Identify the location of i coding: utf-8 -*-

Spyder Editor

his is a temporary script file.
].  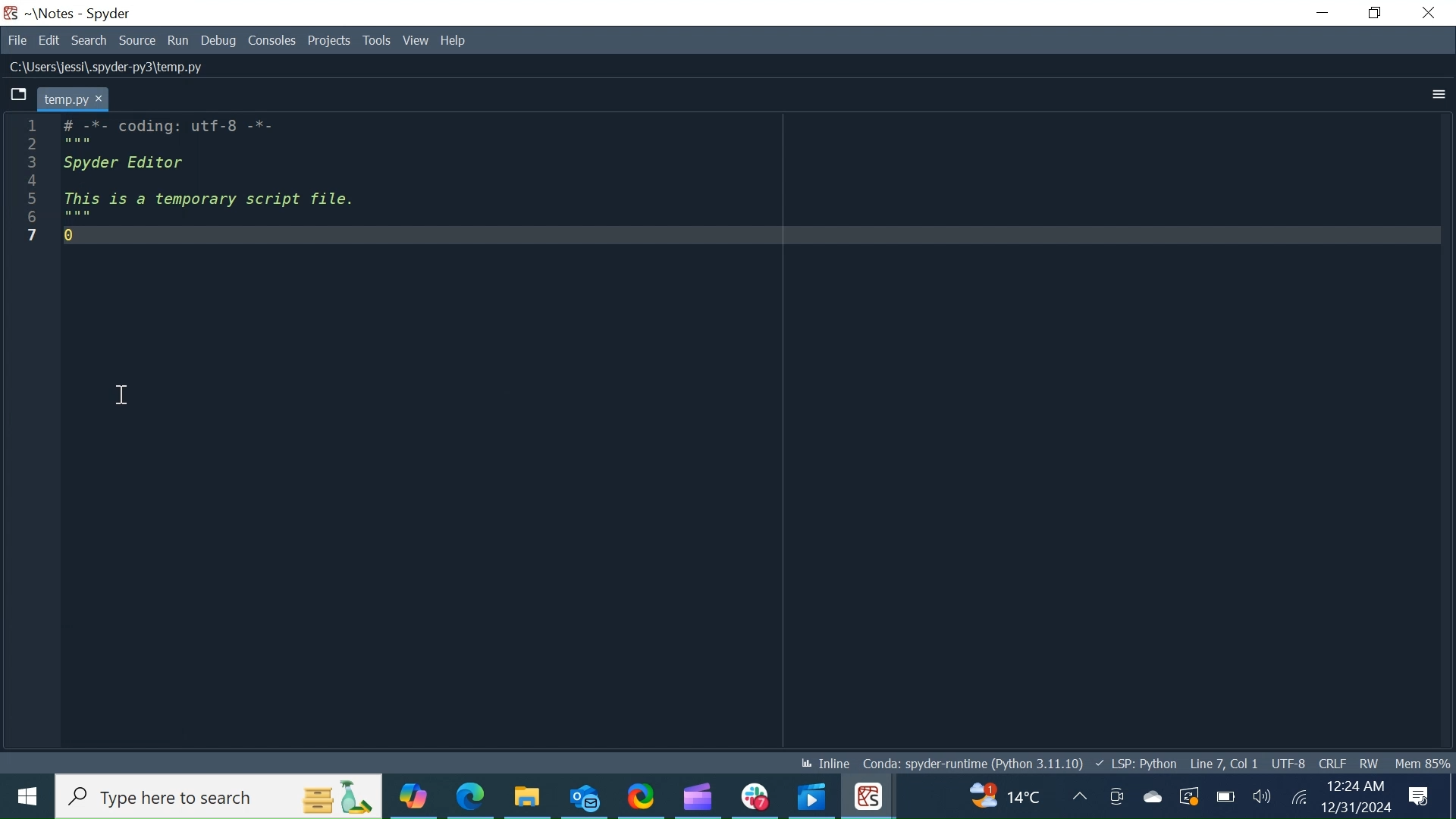
(217, 184).